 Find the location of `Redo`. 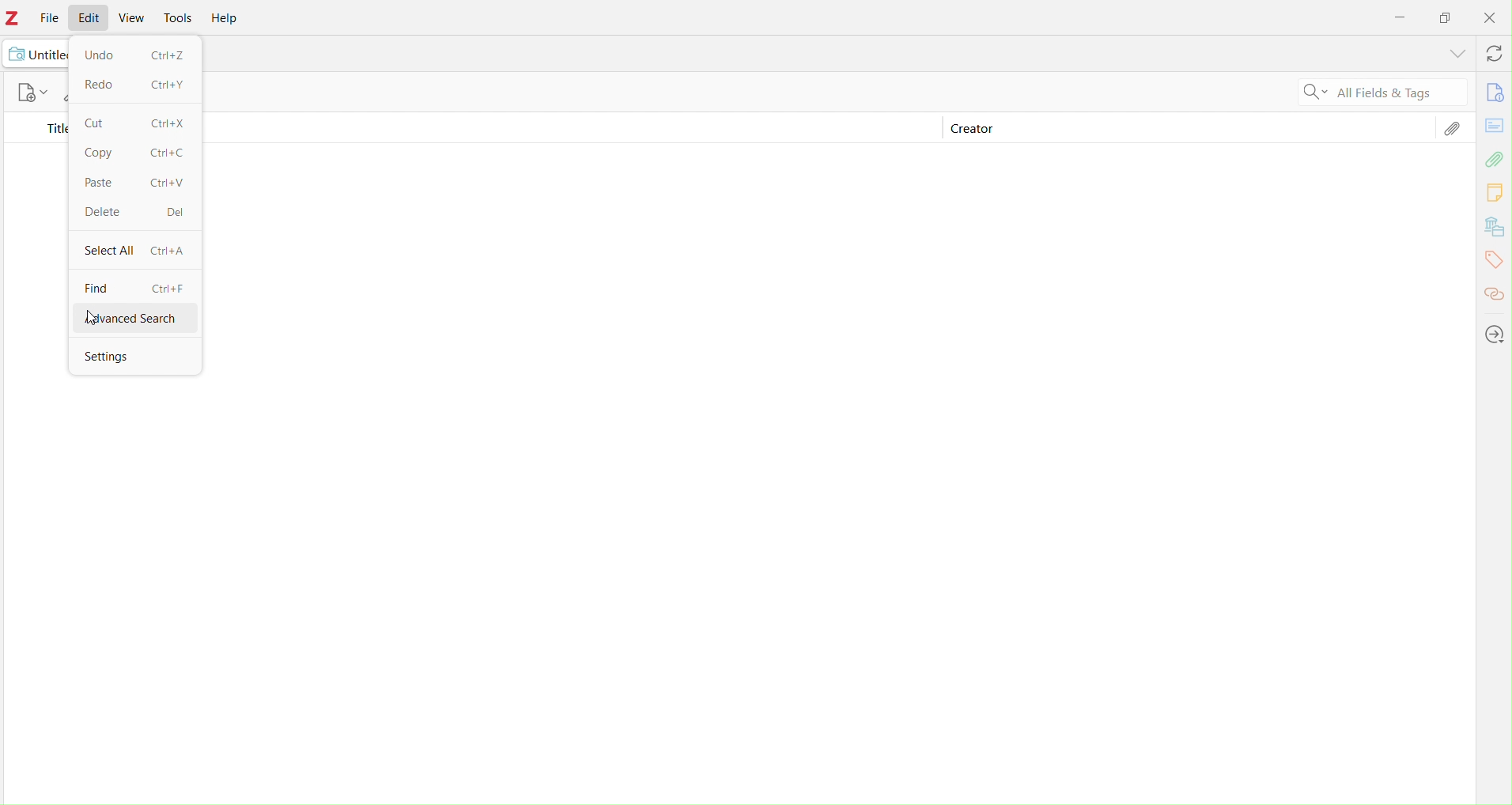

Redo is located at coordinates (135, 87).